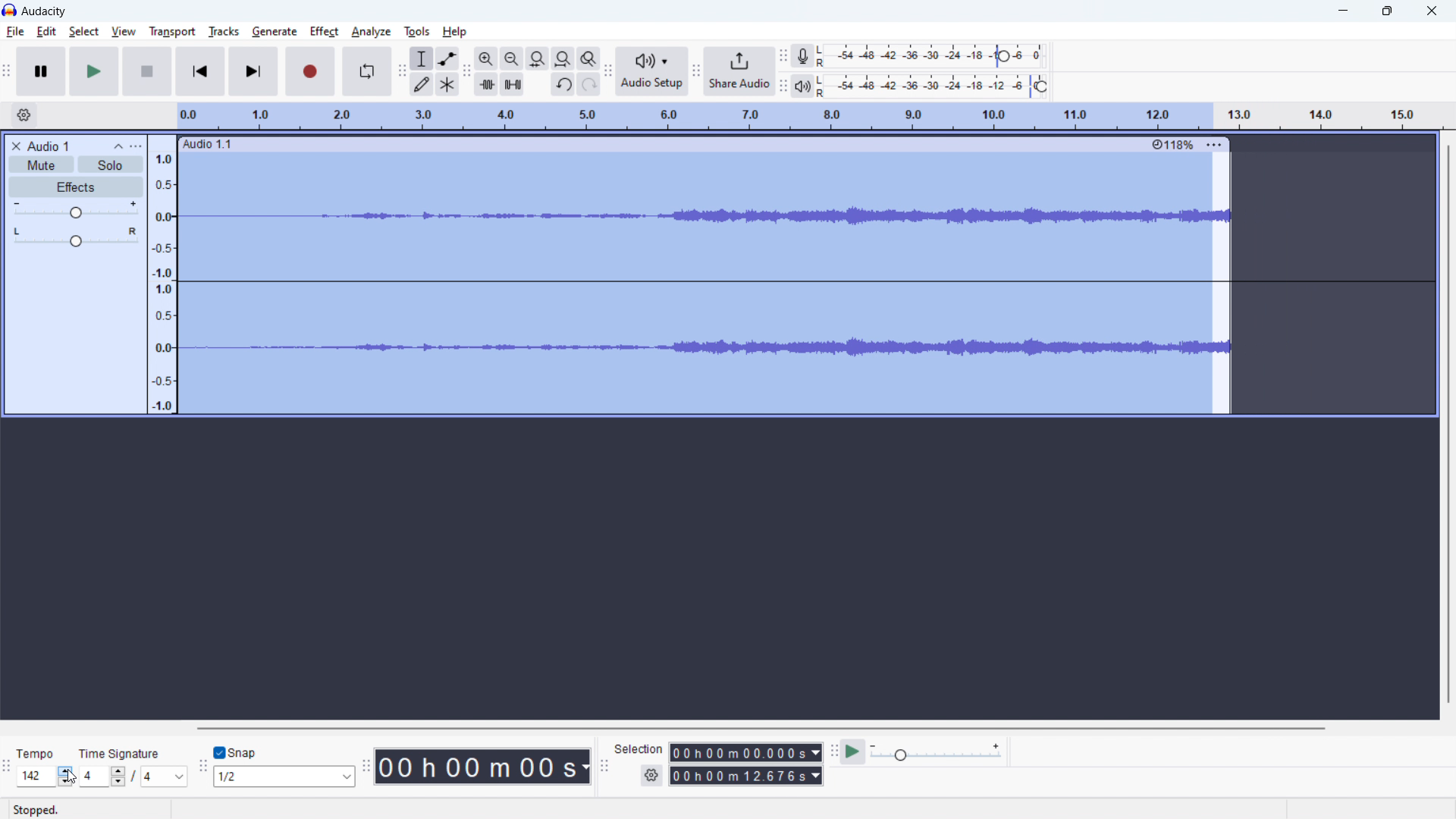 The height and width of the screenshot is (819, 1456). Describe the element at coordinates (588, 58) in the screenshot. I see `toggle zoom` at that location.